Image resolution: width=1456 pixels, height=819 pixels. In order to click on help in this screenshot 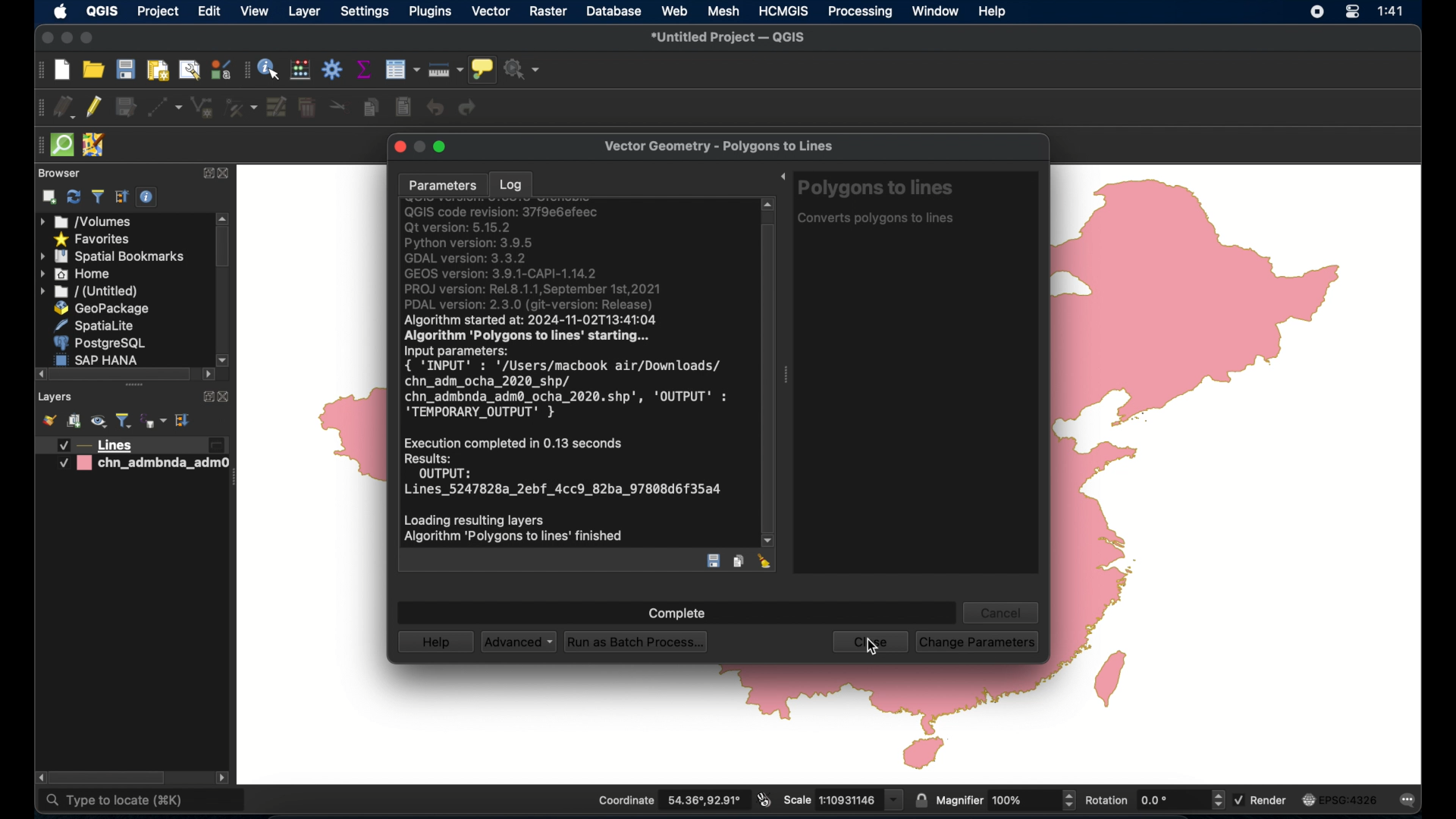, I will do `click(994, 13)`.